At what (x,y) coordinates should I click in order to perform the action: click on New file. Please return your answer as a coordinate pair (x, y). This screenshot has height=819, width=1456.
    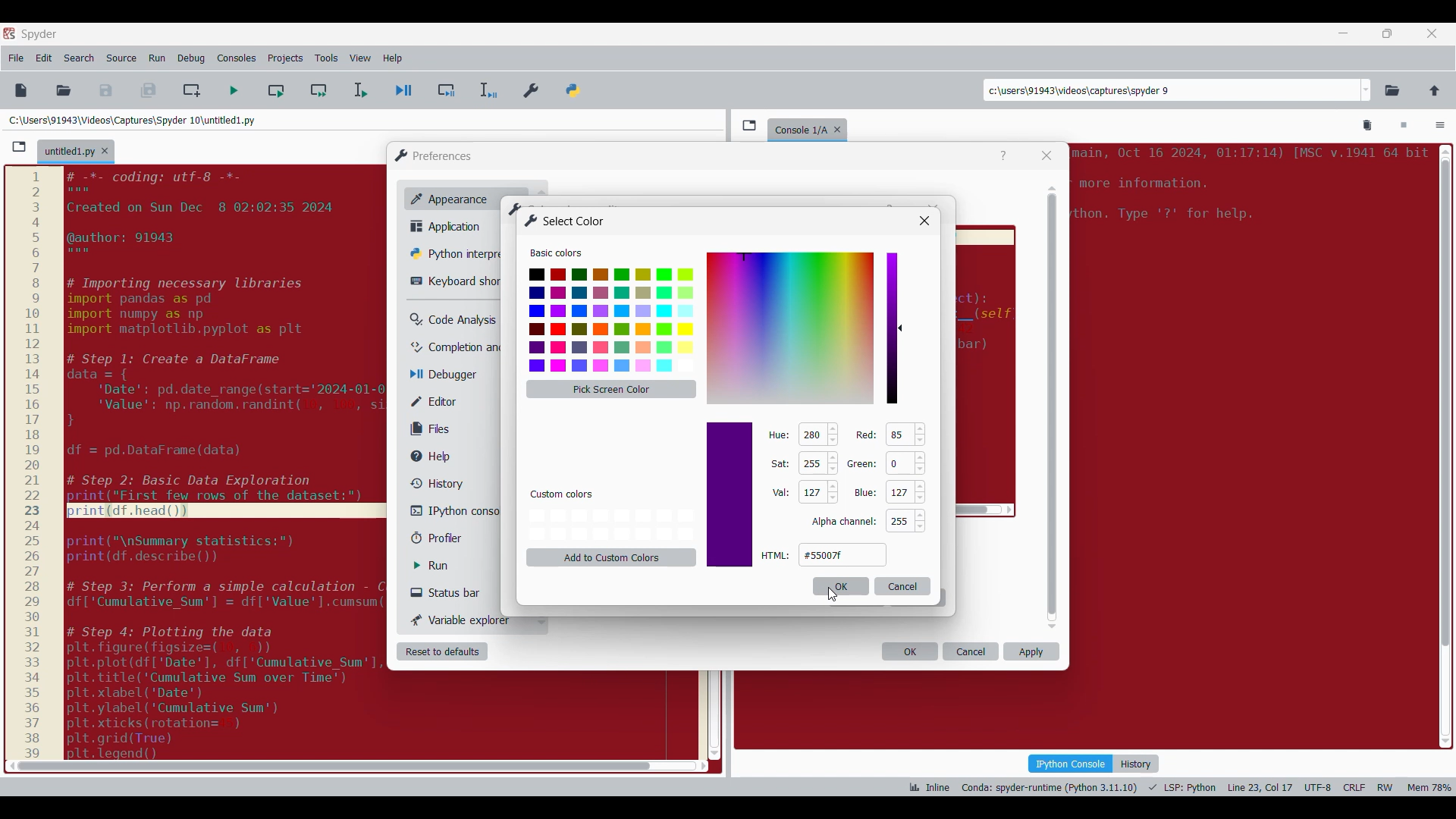
    Looking at the image, I should click on (20, 90).